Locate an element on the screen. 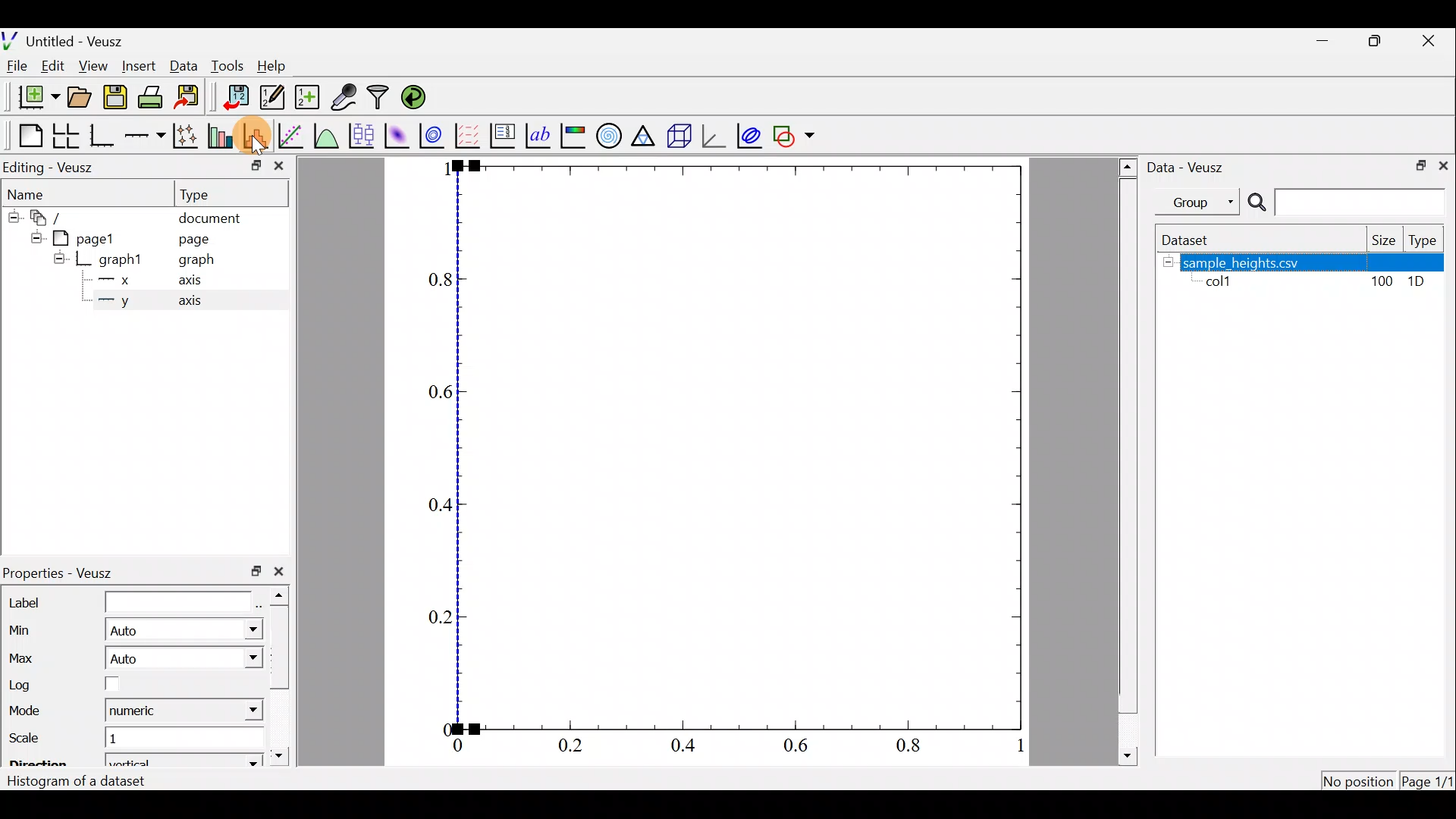 The height and width of the screenshot is (819, 1456). add a shape to the plot is located at coordinates (795, 134).